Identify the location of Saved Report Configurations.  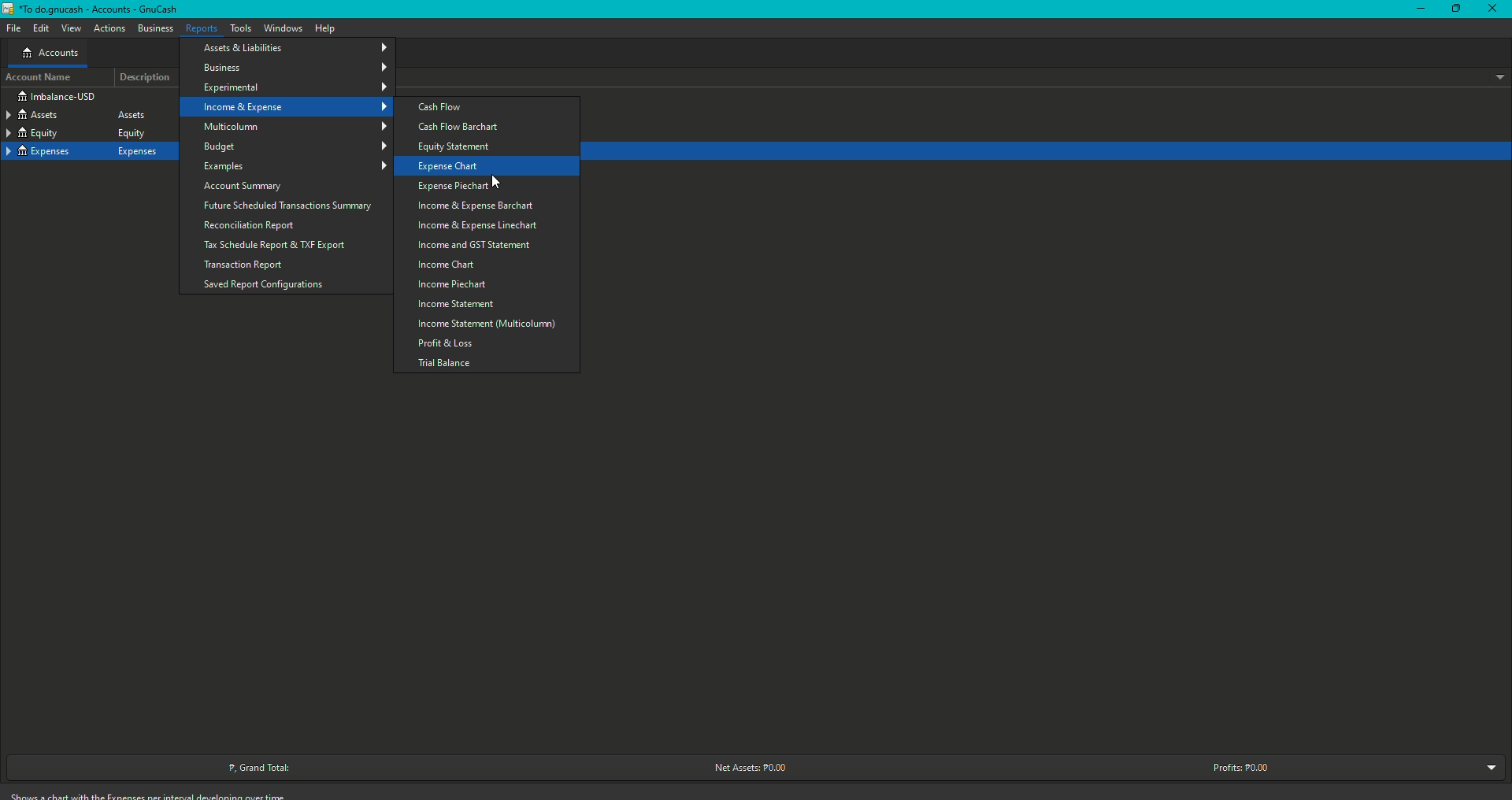
(265, 283).